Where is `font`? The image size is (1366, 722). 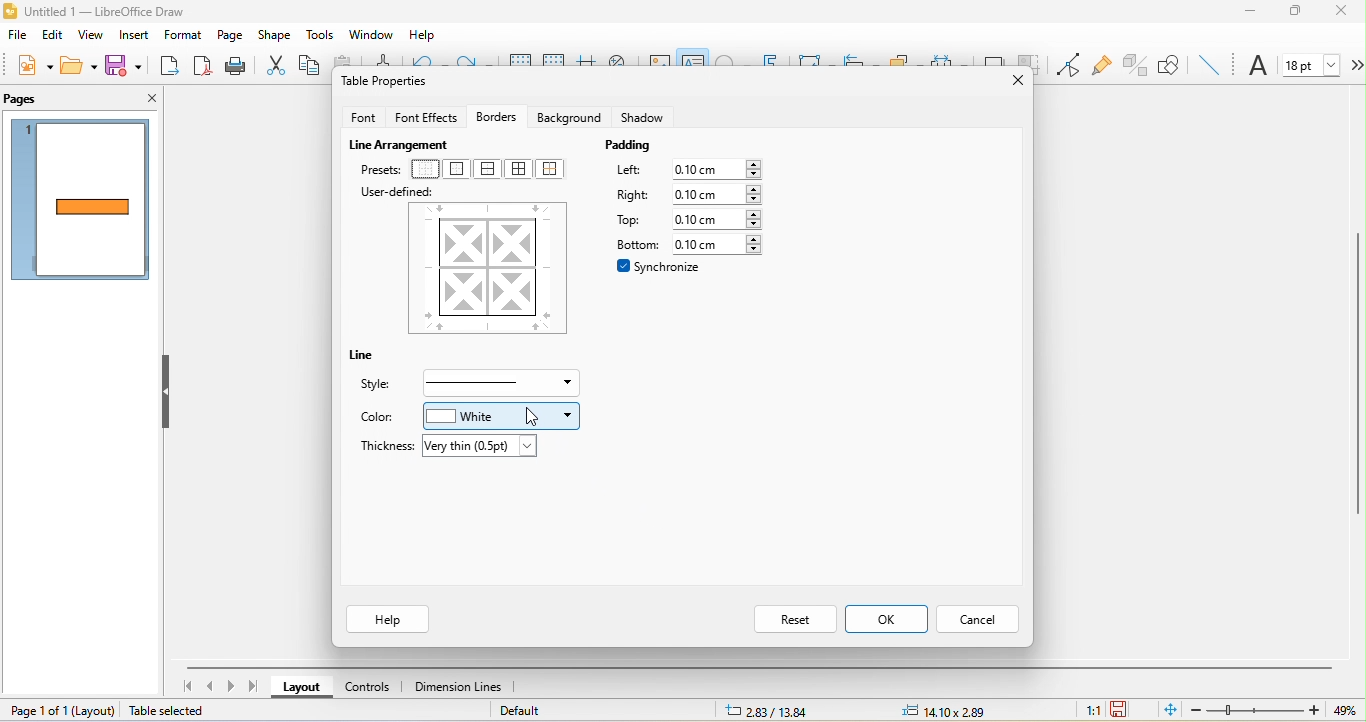 font is located at coordinates (1258, 67).